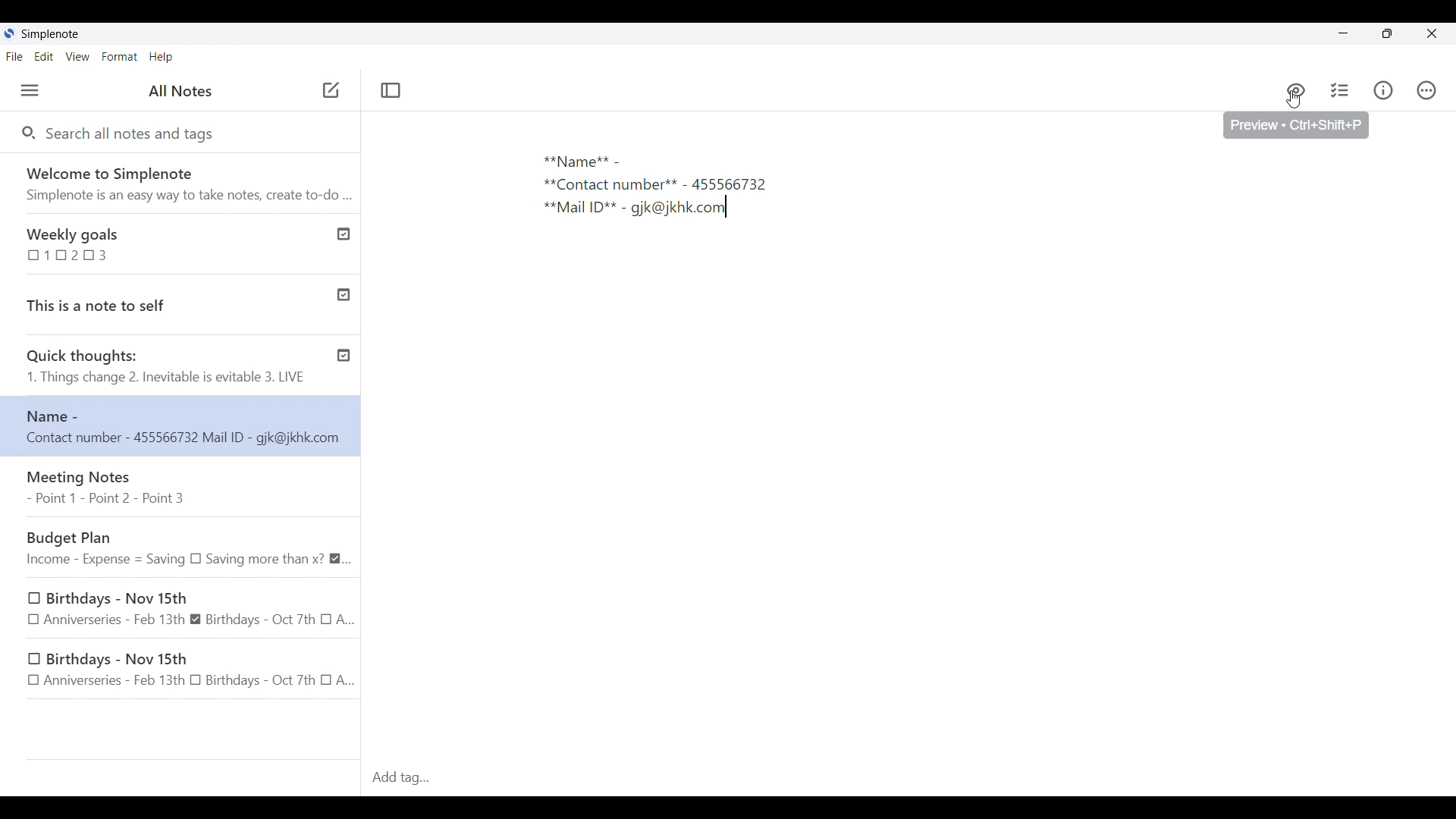 Image resolution: width=1456 pixels, height=819 pixels. What do you see at coordinates (192, 607) in the screenshot?
I see ` Birthdays - Nov 15th ` at bounding box center [192, 607].